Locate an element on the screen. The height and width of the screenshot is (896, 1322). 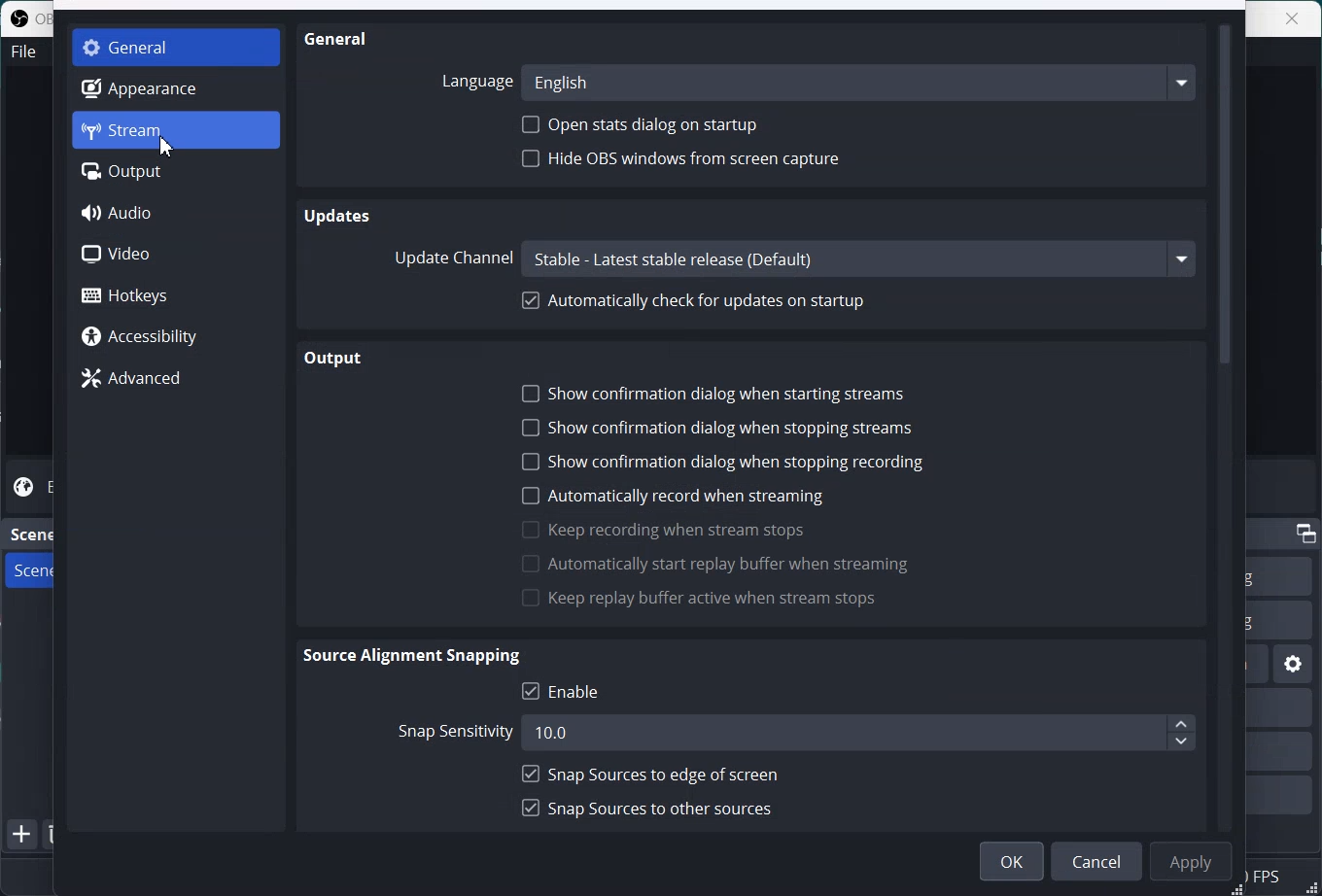
Hotkeys is located at coordinates (177, 294).